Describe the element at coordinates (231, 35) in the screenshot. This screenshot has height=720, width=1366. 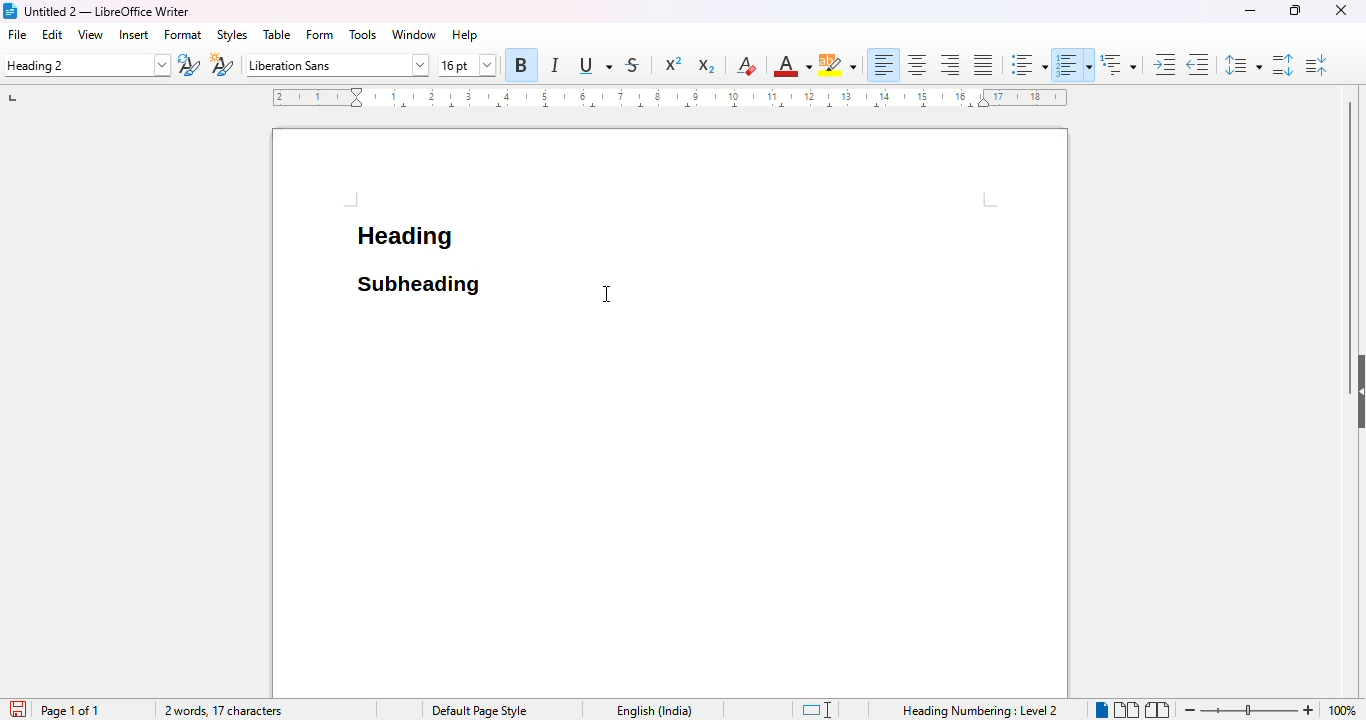
I see `styles` at that location.